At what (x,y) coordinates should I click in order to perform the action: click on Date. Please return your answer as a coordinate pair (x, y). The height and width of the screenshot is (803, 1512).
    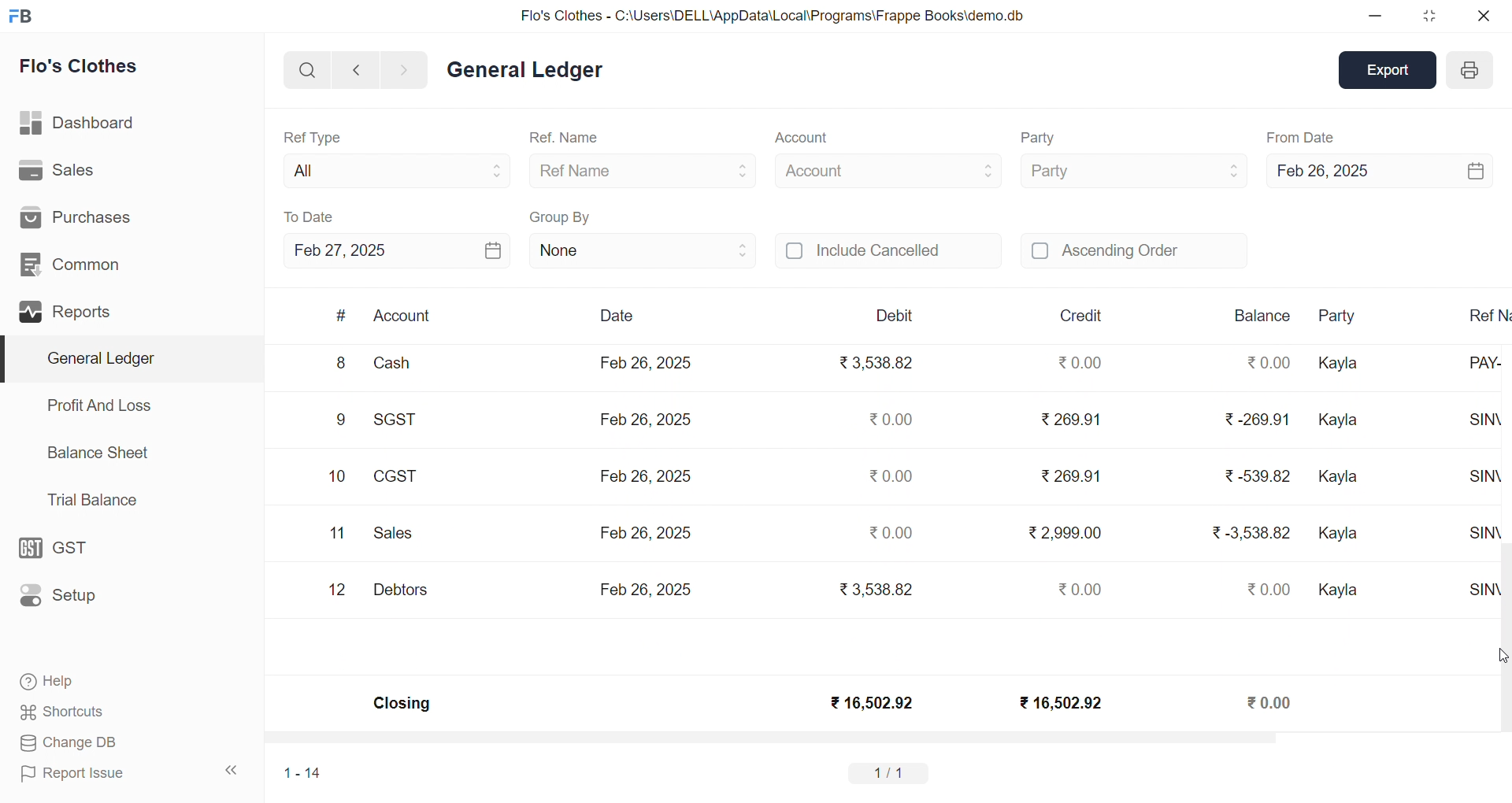
    Looking at the image, I should click on (616, 316).